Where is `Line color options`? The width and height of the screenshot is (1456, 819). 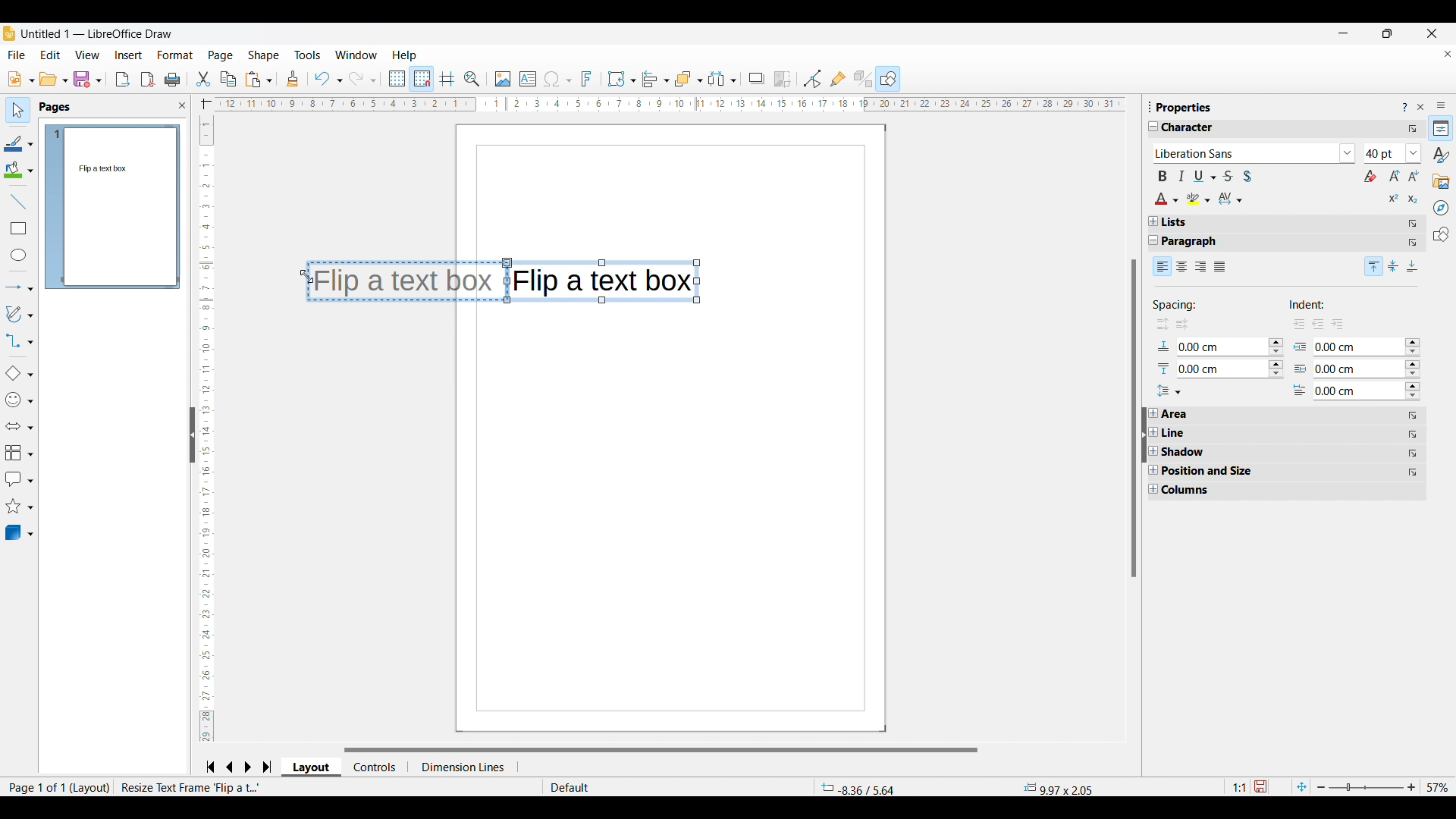
Line color options is located at coordinates (19, 143).